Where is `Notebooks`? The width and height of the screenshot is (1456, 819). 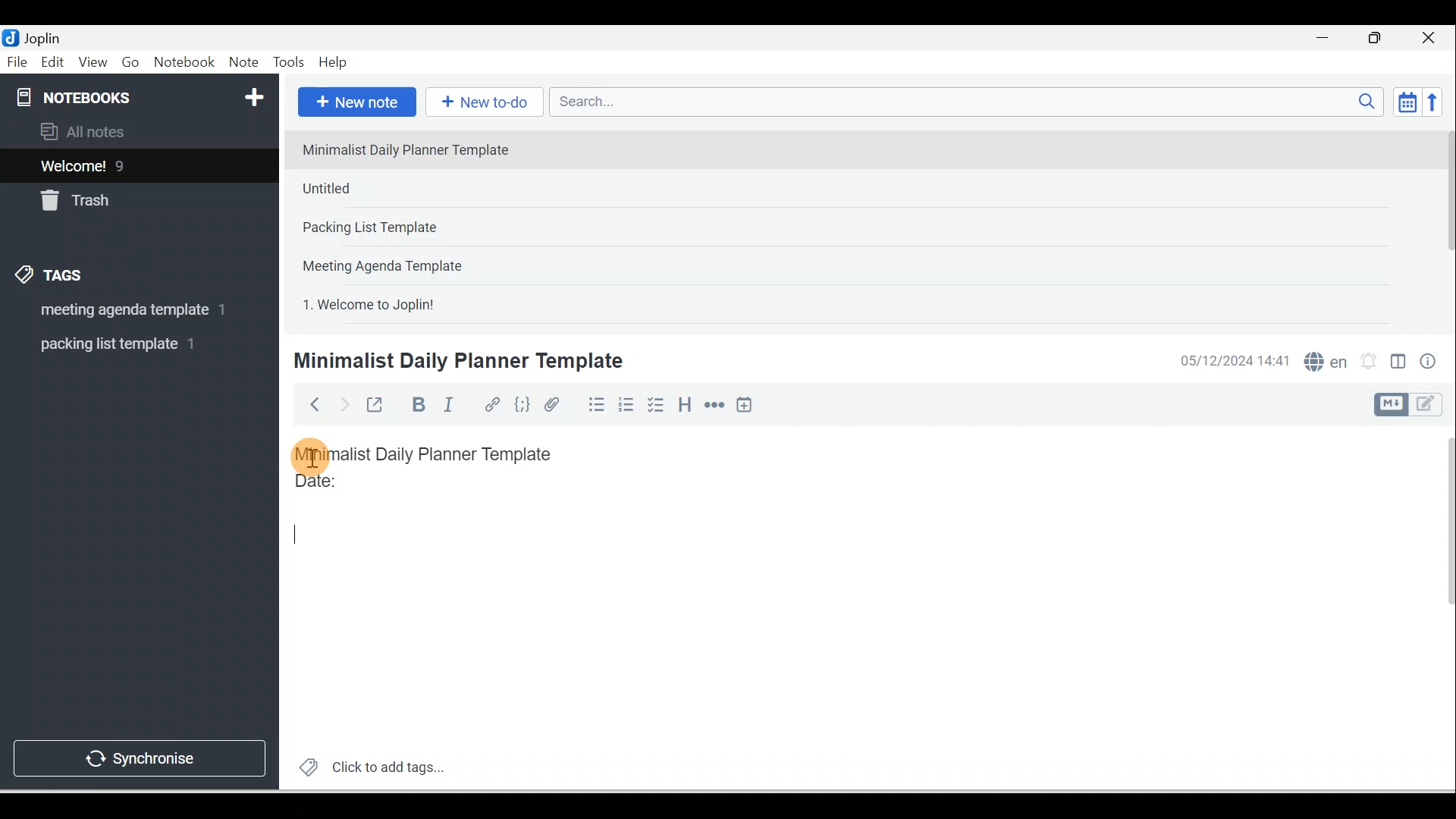
Notebooks is located at coordinates (143, 94).